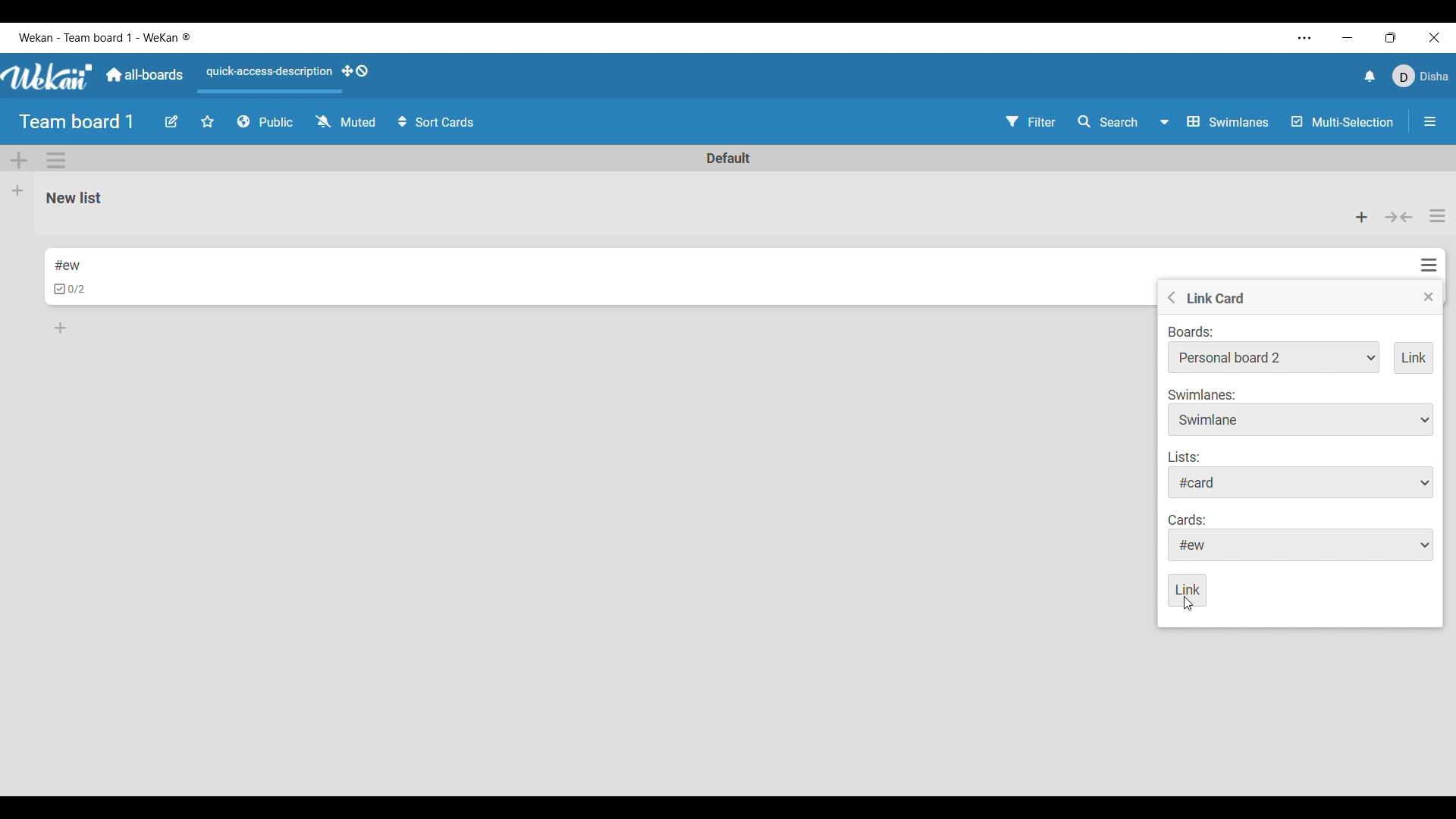 Image resolution: width=1456 pixels, height=819 pixels. What do you see at coordinates (49, 77) in the screenshot?
I see `Software logo` at bounding box center [49, 77].